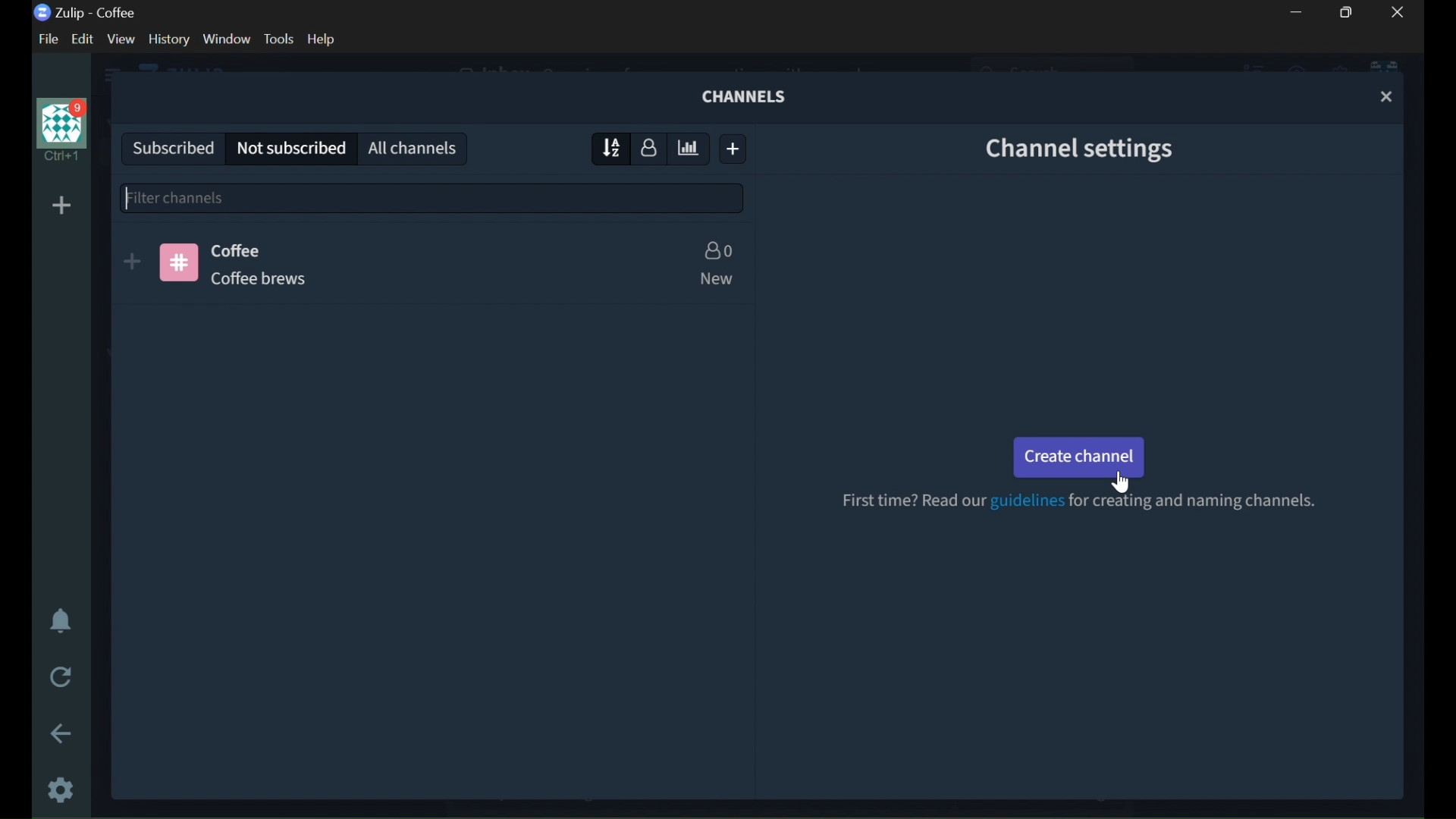  Describe the element at coordinates (120, 39) in the screenshot. I see `VIEW` at that location.